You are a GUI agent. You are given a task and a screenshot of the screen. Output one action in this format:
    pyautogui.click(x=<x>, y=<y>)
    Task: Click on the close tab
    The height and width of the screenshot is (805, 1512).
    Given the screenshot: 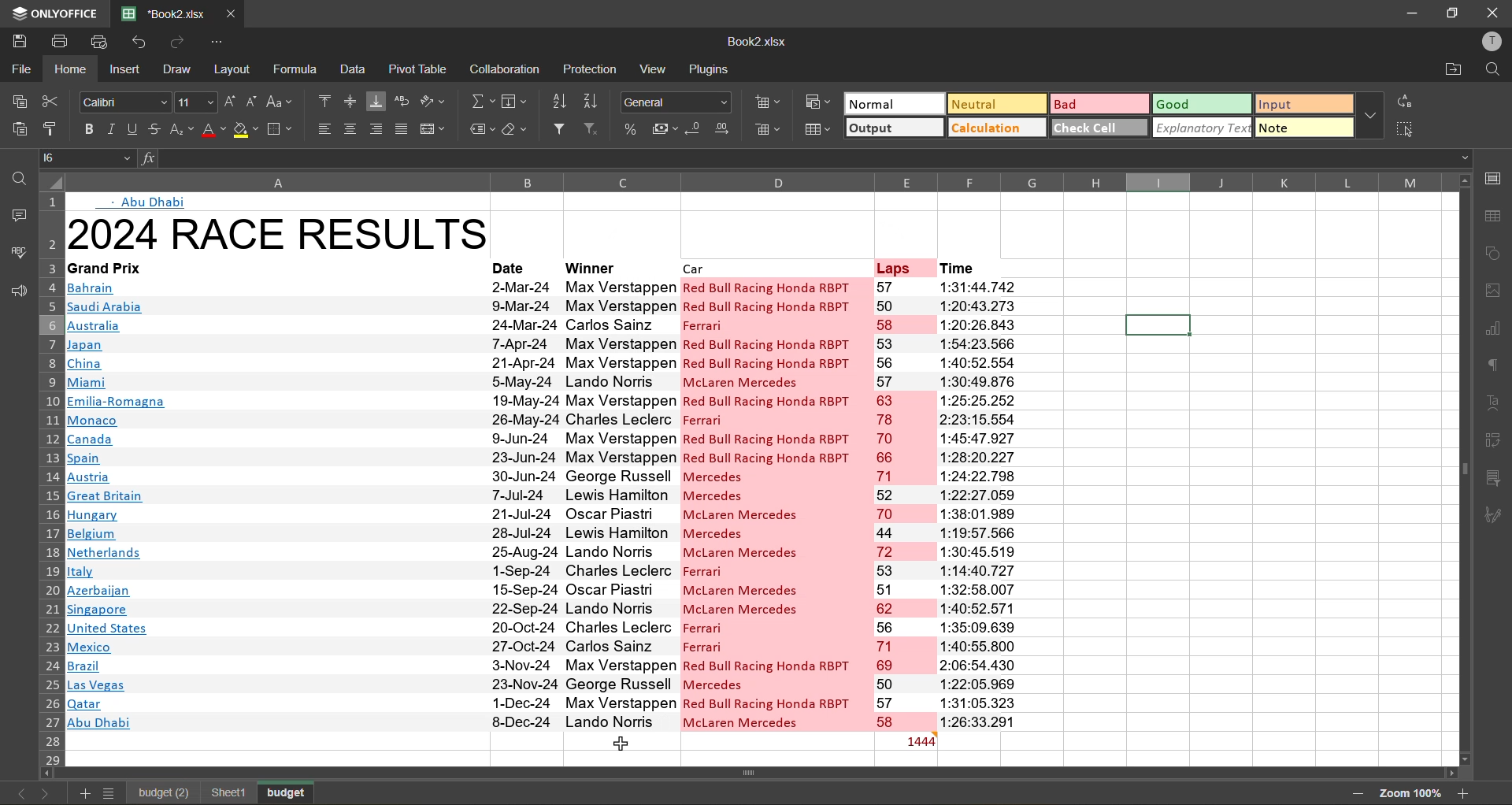 What is the action you would take?
    pyautogui.click(x=232, y=11)
    